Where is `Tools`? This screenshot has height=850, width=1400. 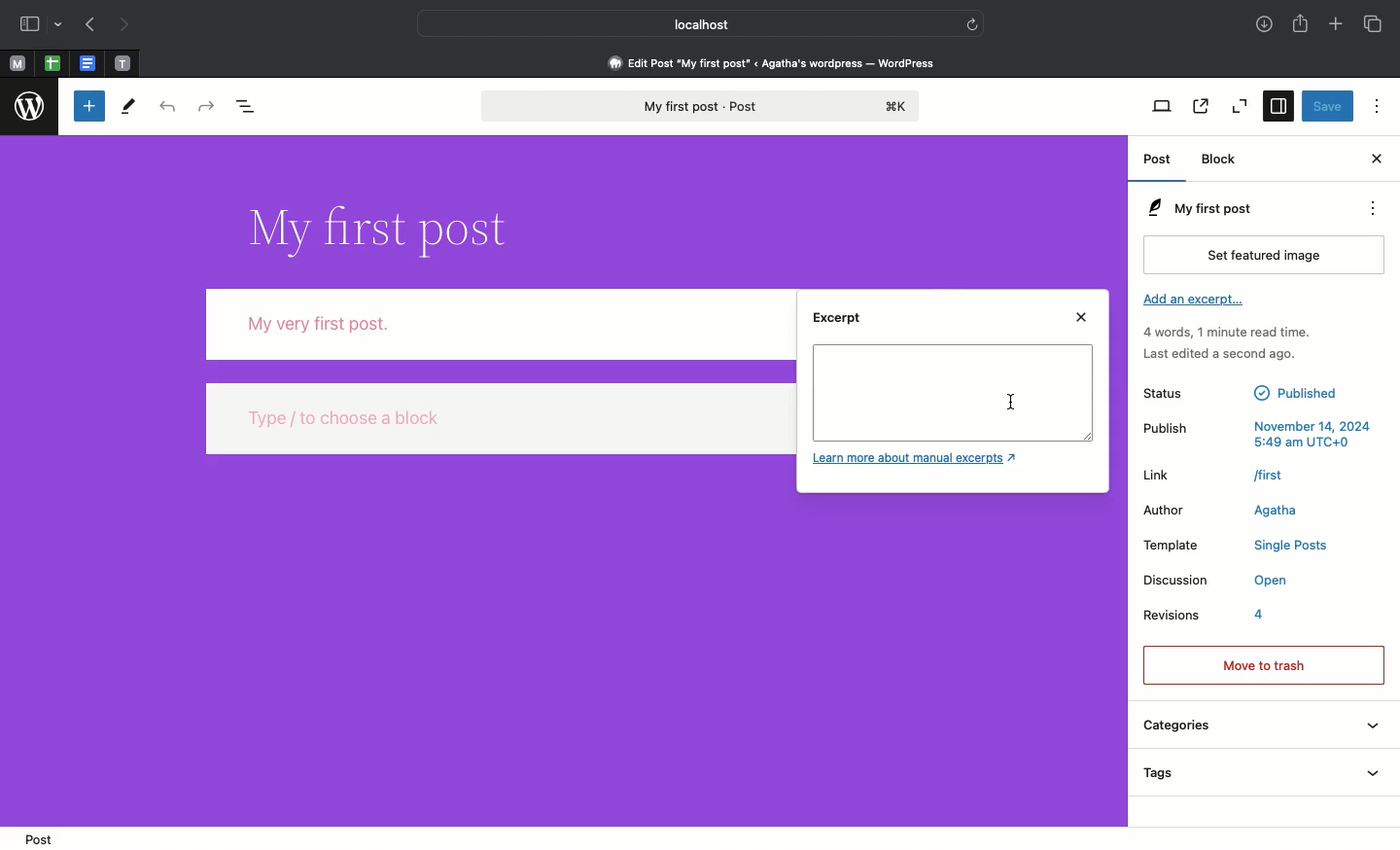
Tools is located at coordinates (129, 106).